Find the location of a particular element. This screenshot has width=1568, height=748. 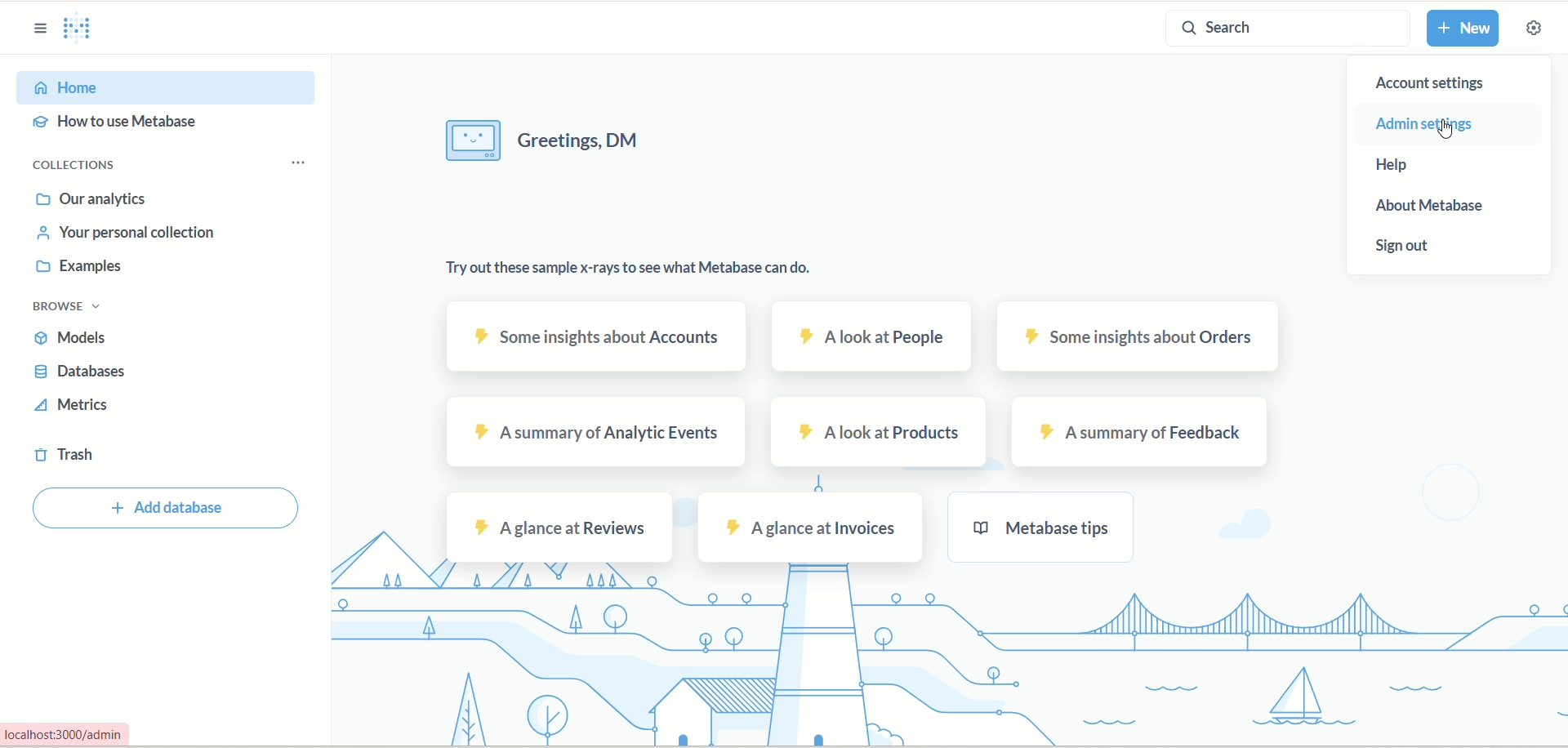

trash is located at coordinates (63, 456).